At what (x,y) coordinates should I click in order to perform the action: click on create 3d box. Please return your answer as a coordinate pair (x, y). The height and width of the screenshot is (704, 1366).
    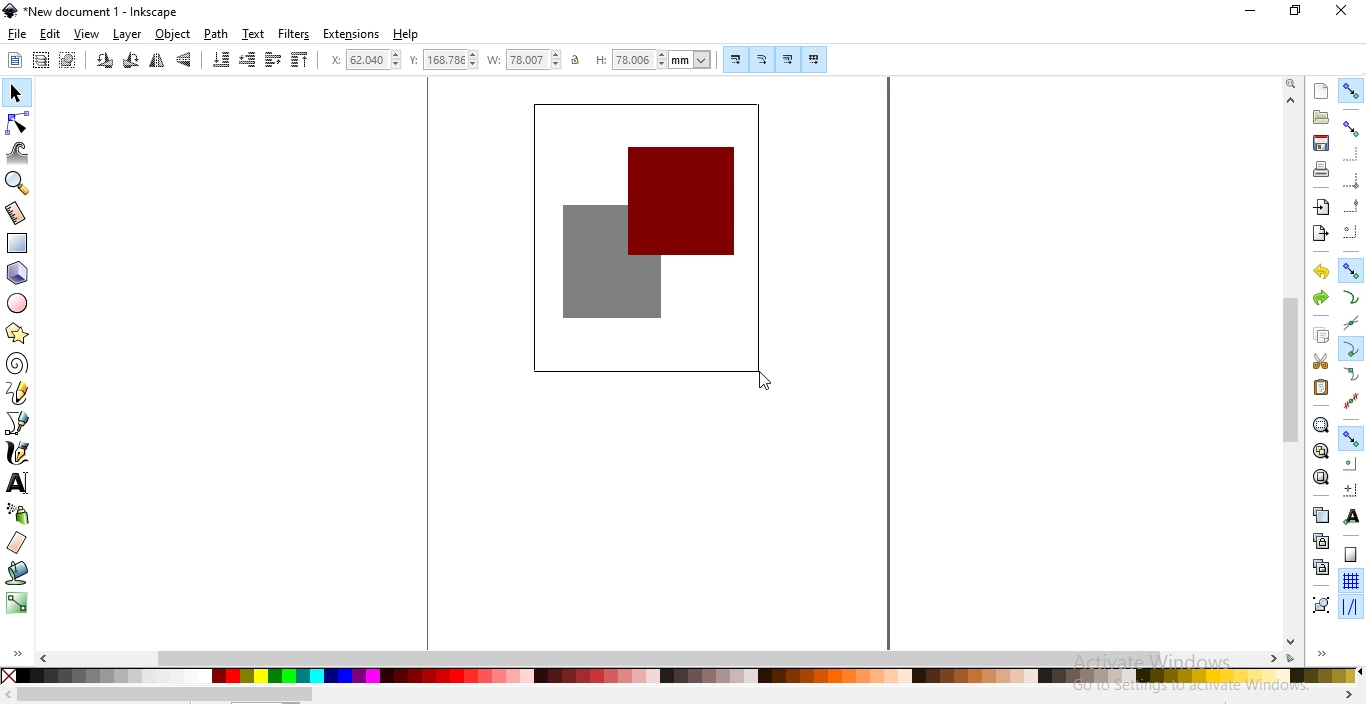
    Looking at the image, I should click on (20, 273).